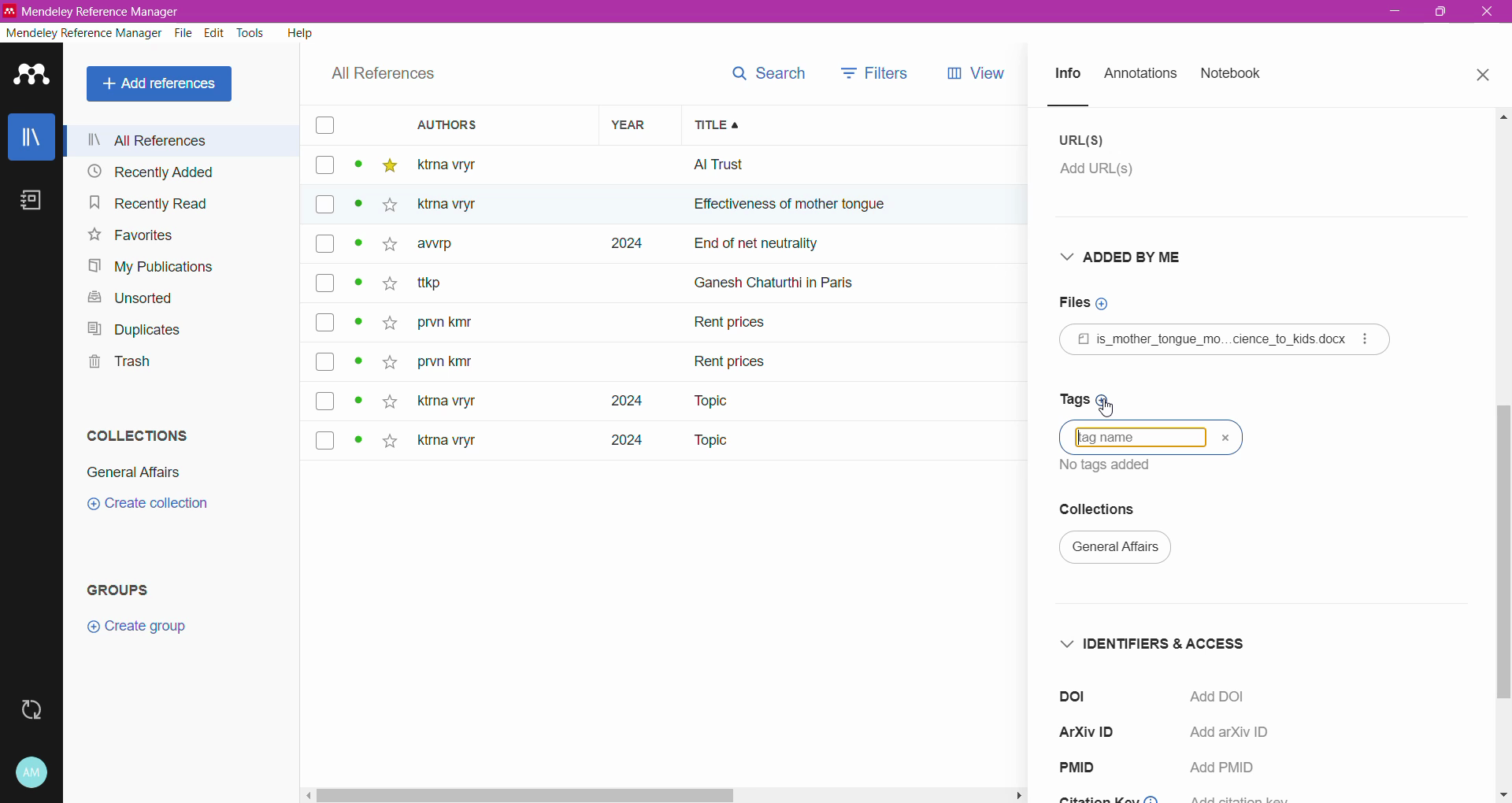 The width and height of the screenshot is (1512, 803). What do you see at coordinates (1122, 546) in the screenshot?
I see `general affairs` at bounding box center [1122, 546].